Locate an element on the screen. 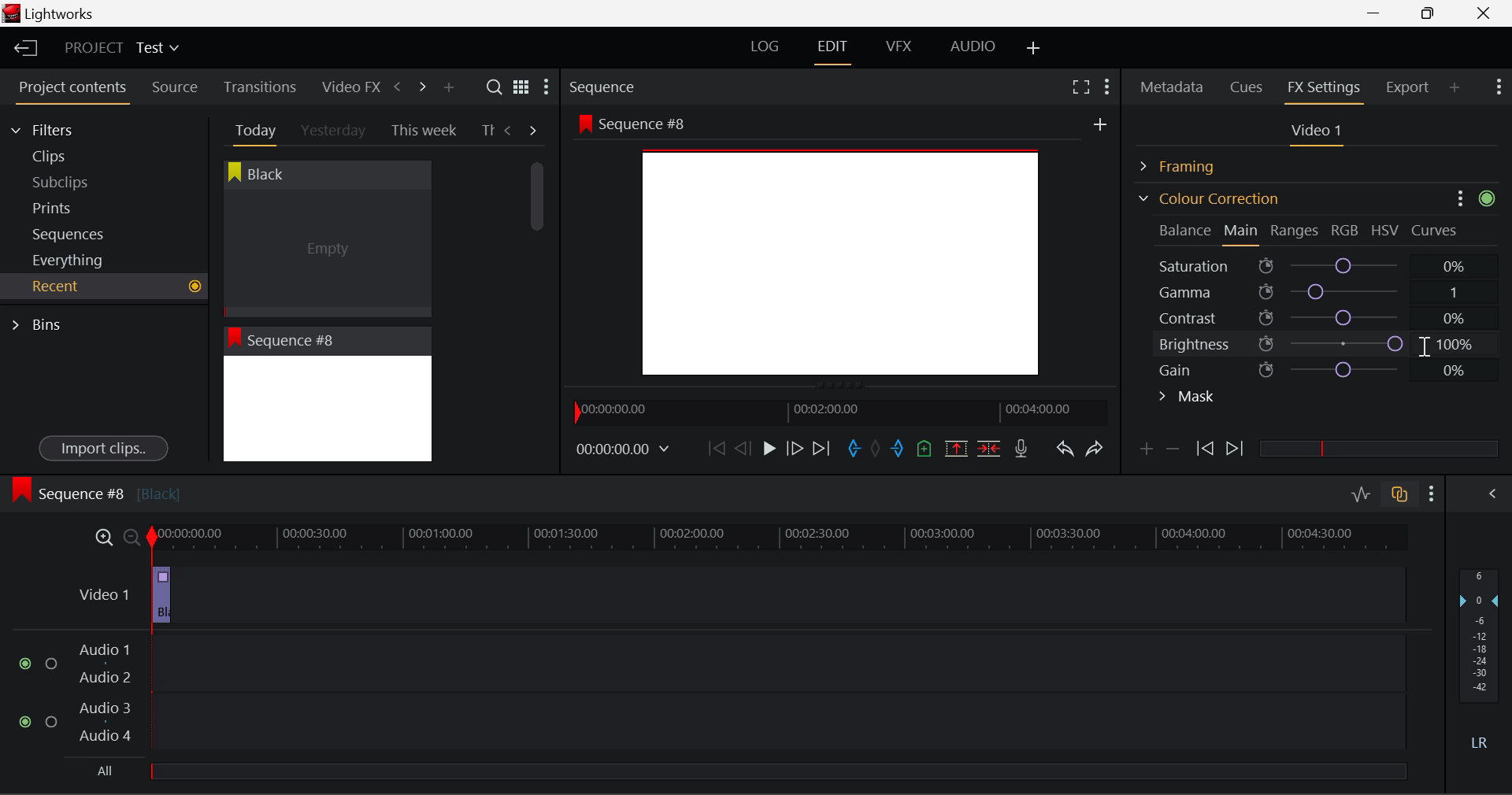  Close is located at coordinates (1487, 13).